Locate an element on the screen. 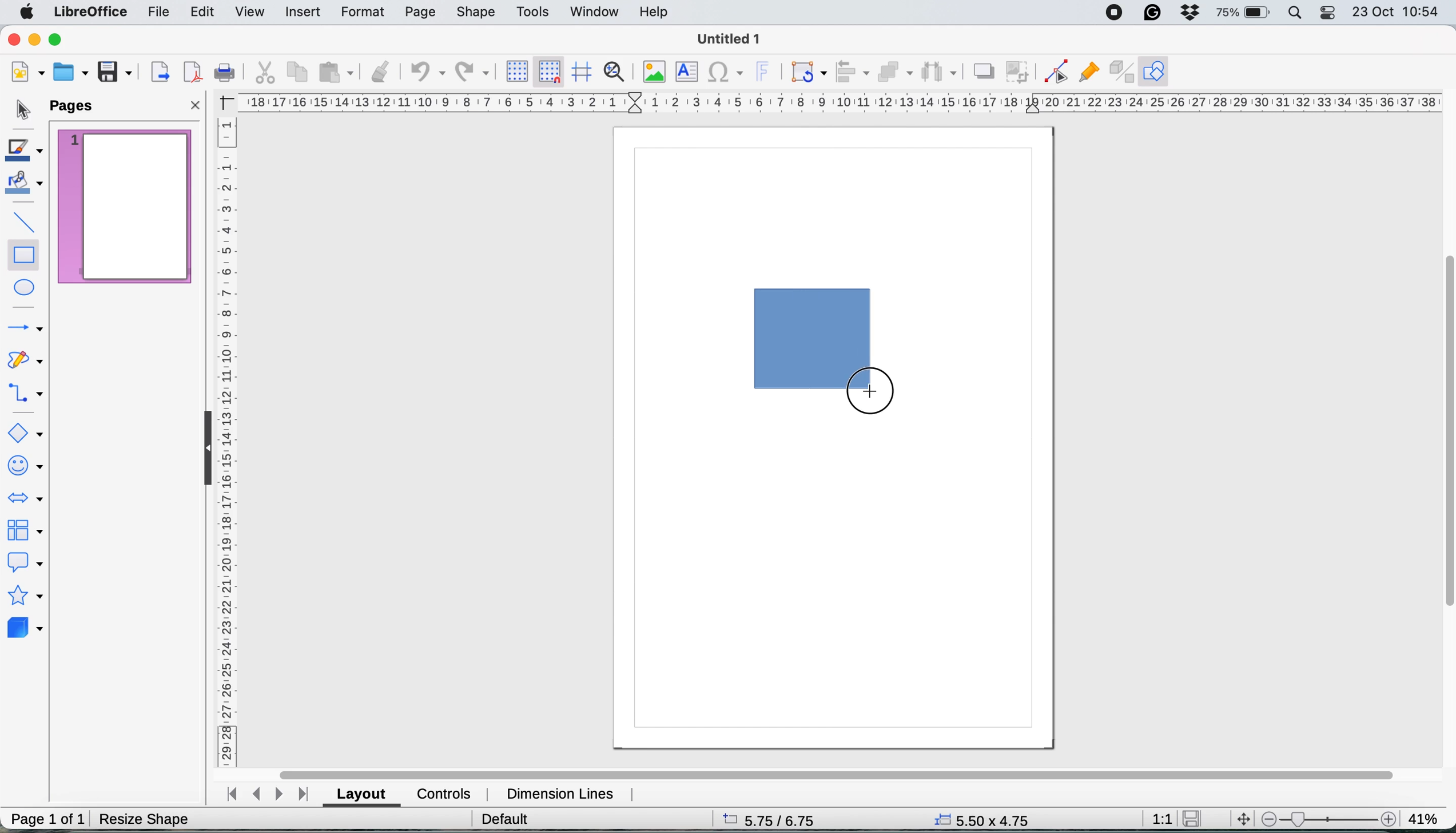 Image resolution: width=1456 pixels, height=833 pixels. 5.75/6.75 is located at coordinates (777, 819).